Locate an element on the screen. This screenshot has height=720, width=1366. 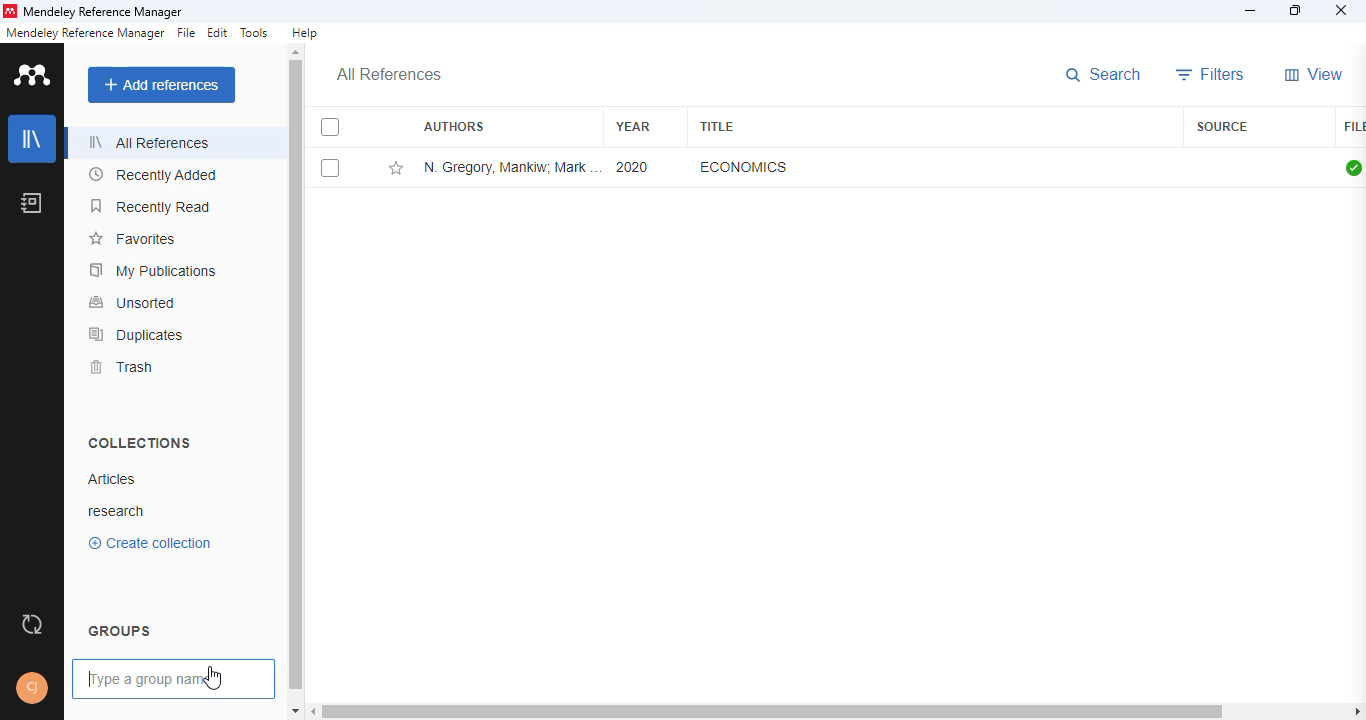
maximize is located at coordinates (1297, 10).